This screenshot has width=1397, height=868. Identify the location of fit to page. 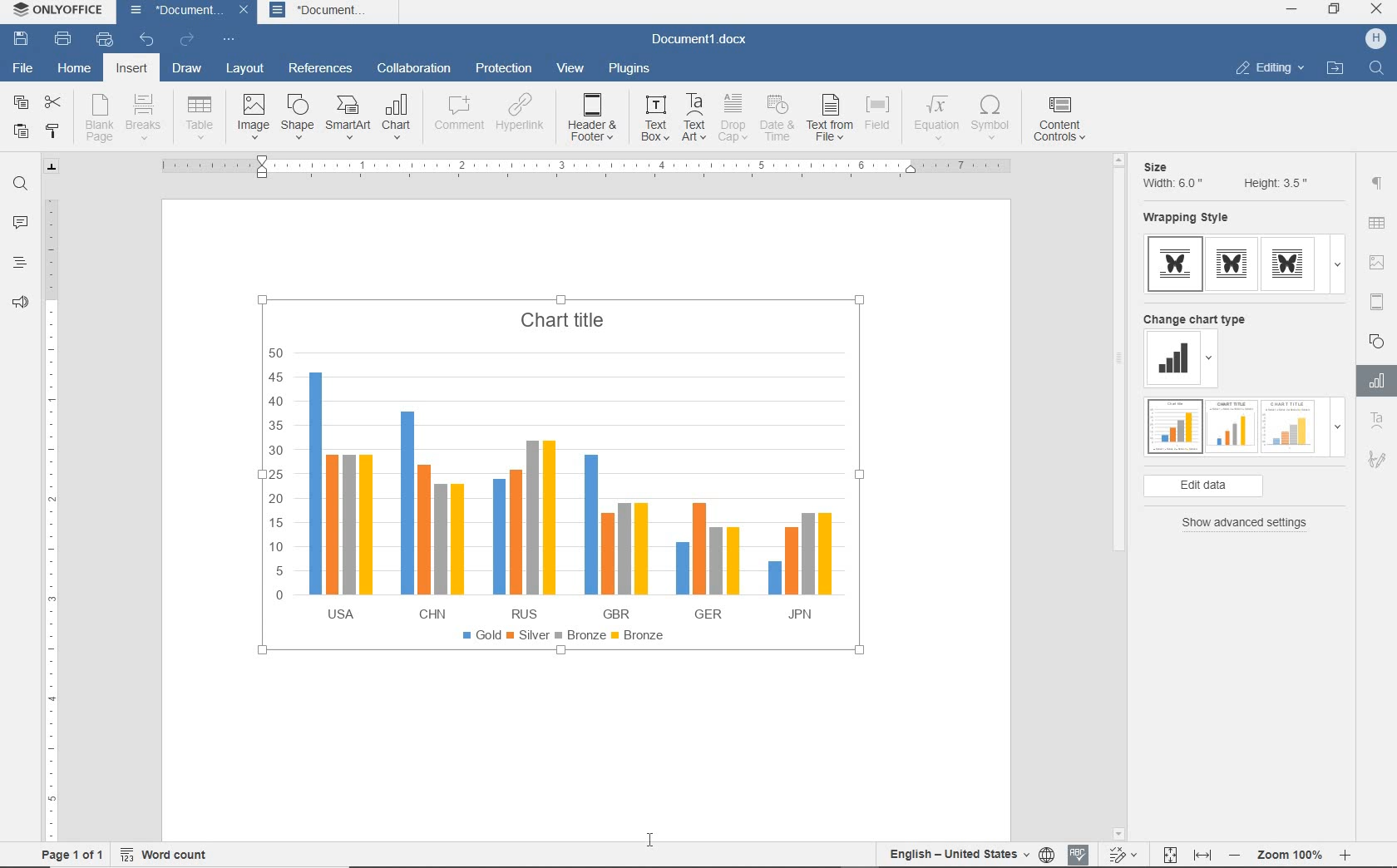
(1167, 854).